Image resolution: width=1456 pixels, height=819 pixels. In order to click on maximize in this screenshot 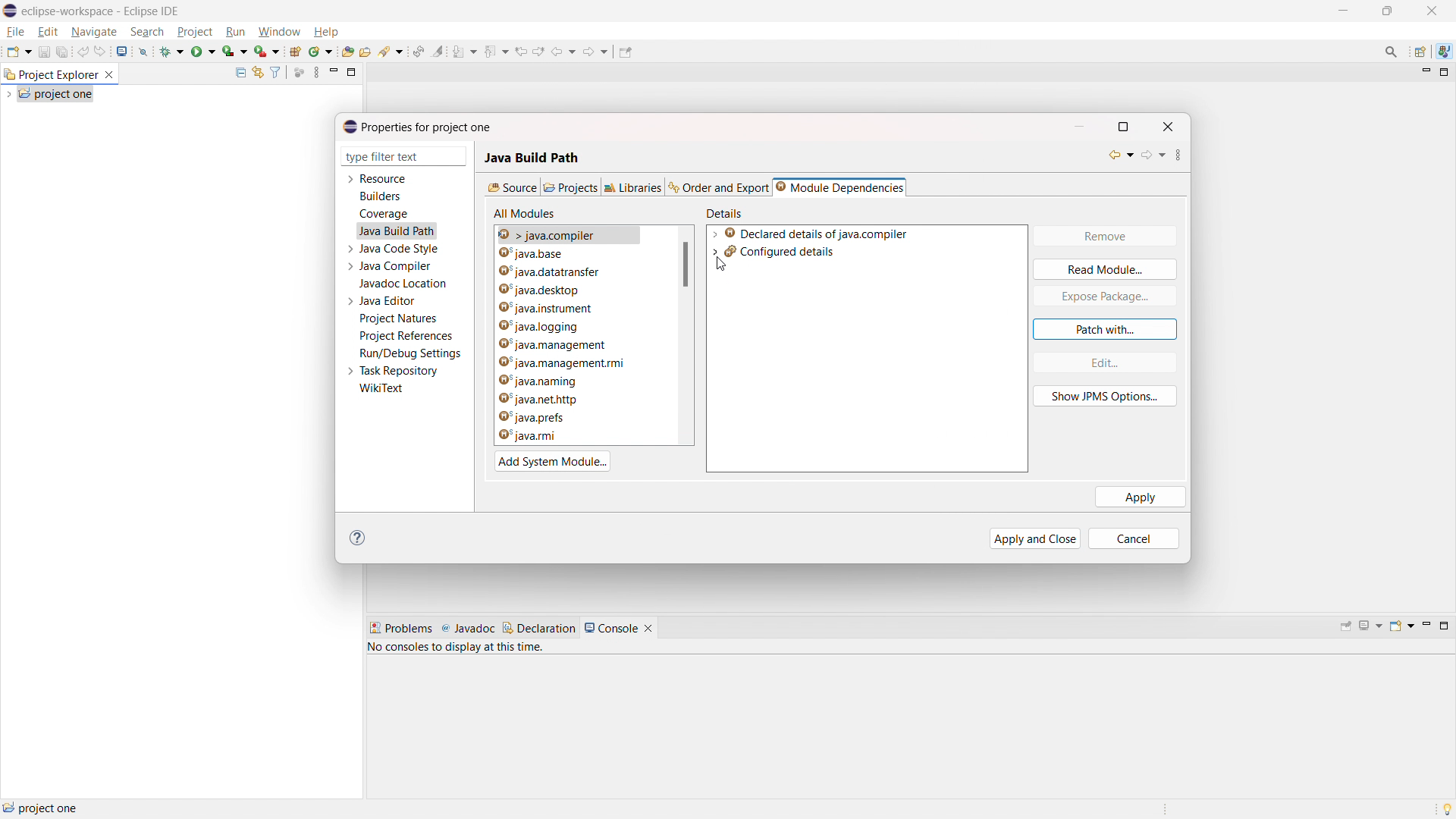, I will do `click(352, 71)`.